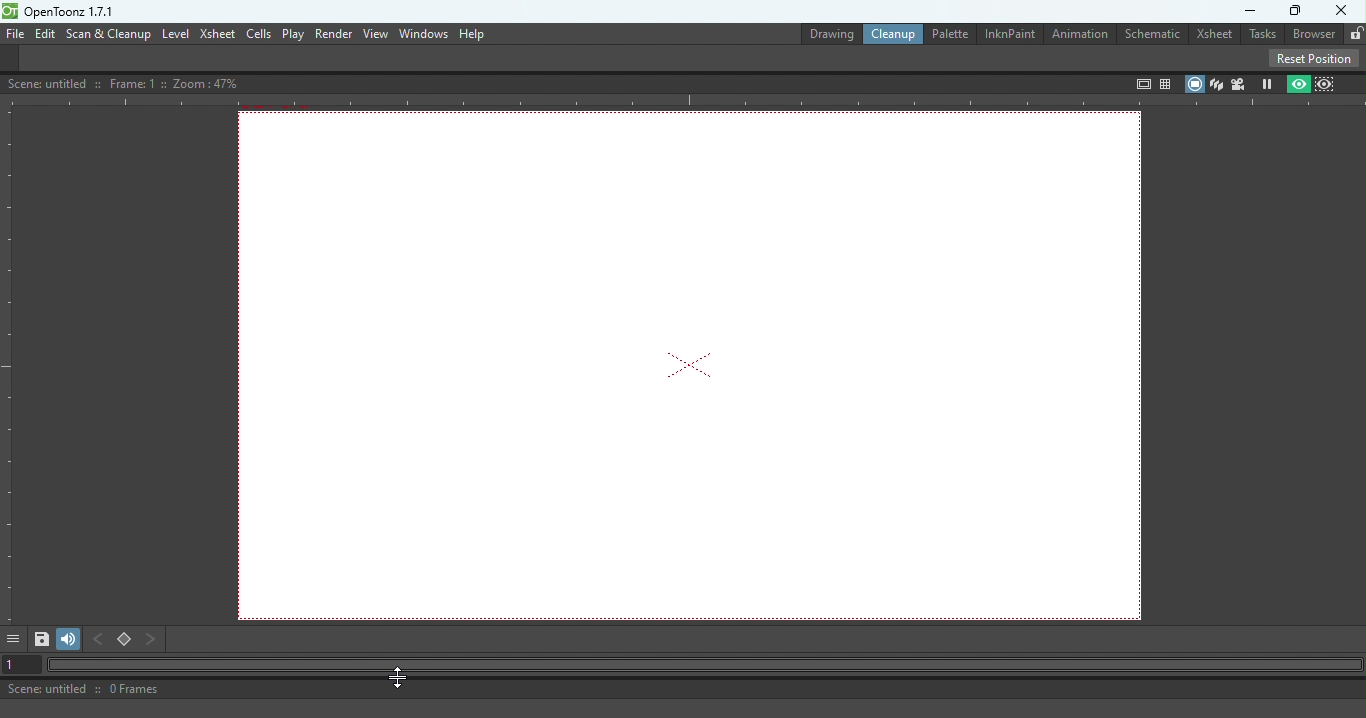 The height and width of the screenshot is (718, 1366). Describe the element at coordinates (1082, 35) in the screenshot. I see `Animation` at that location.